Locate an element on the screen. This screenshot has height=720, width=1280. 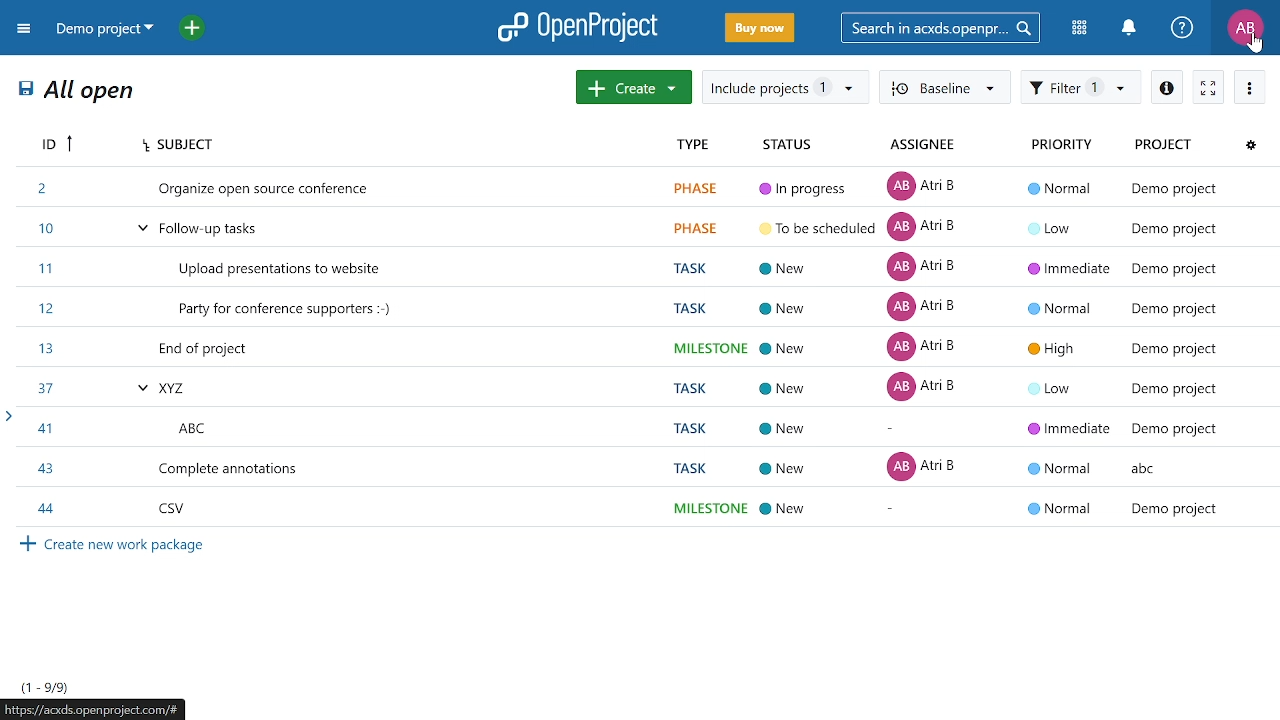
OpenProject logo is located at coordinates (579, 26).